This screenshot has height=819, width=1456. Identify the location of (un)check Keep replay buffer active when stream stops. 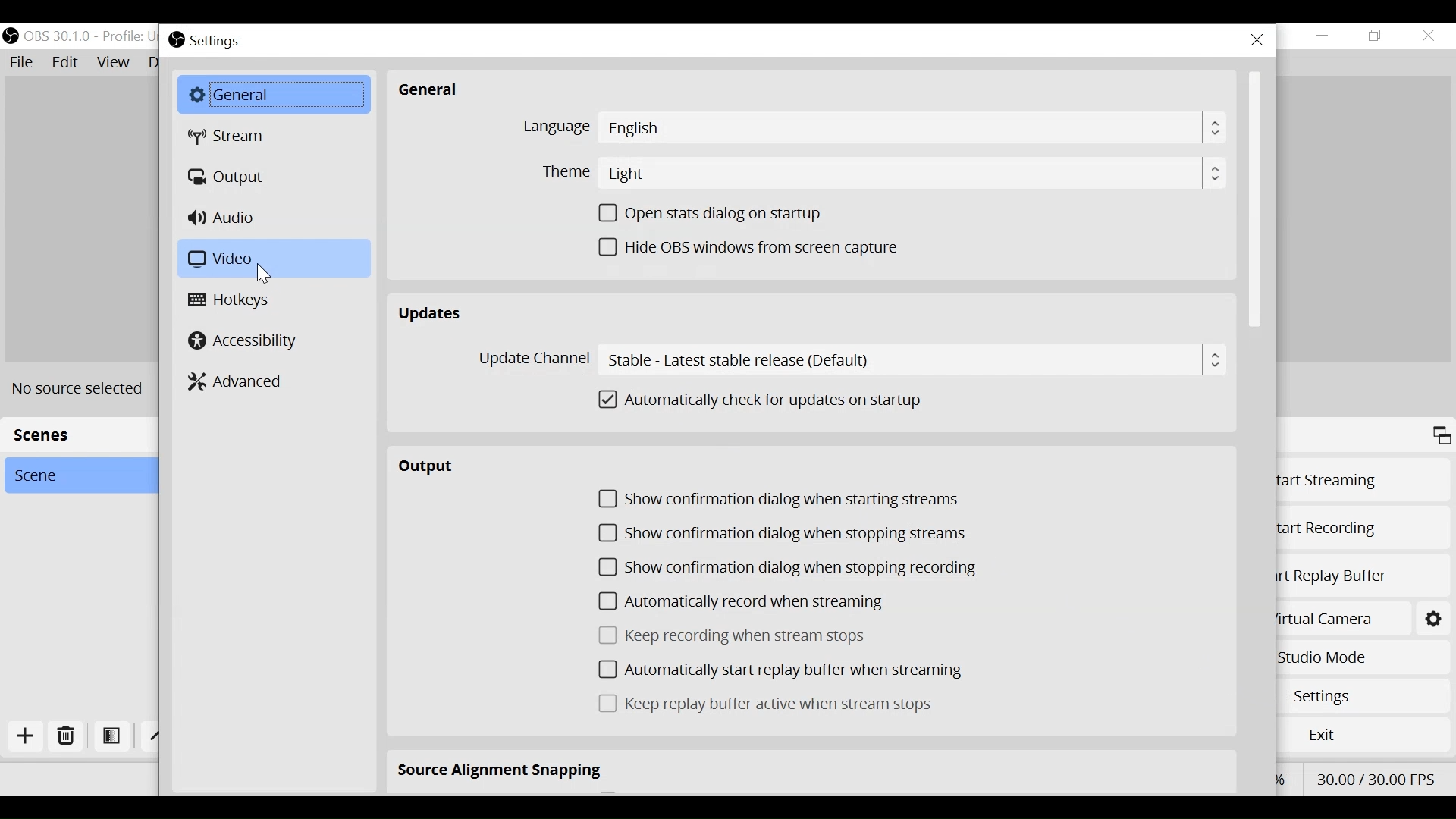
(772, 704).